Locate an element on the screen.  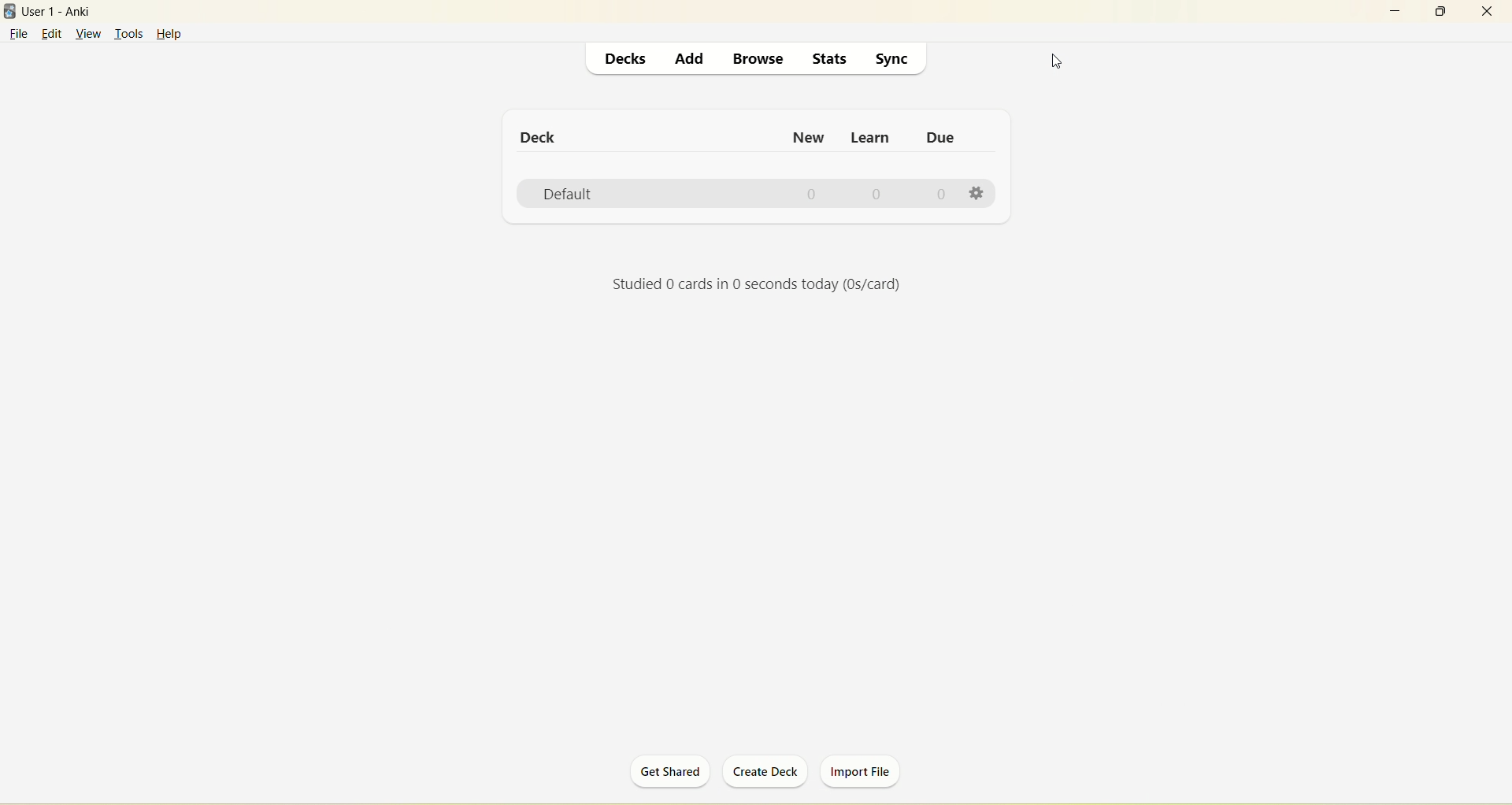
stats is located at coordinates (831, 58).